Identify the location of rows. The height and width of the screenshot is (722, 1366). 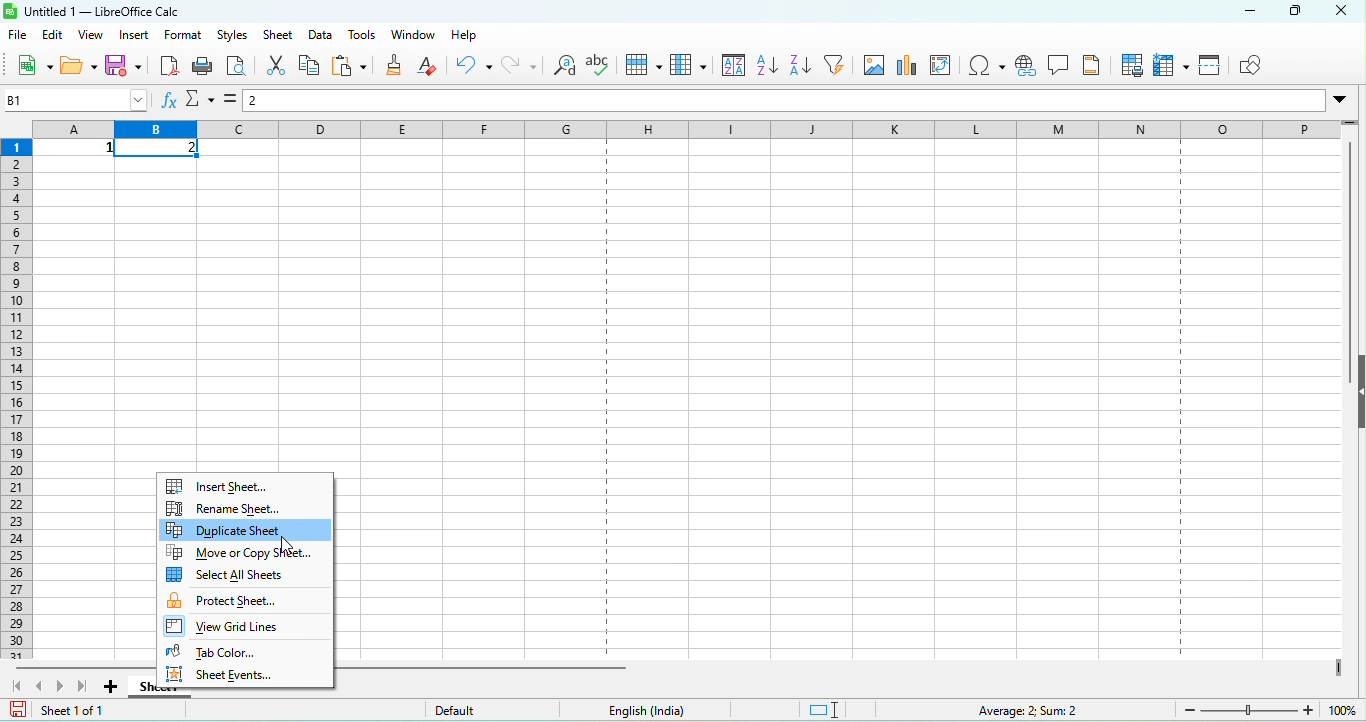
(18, 397).